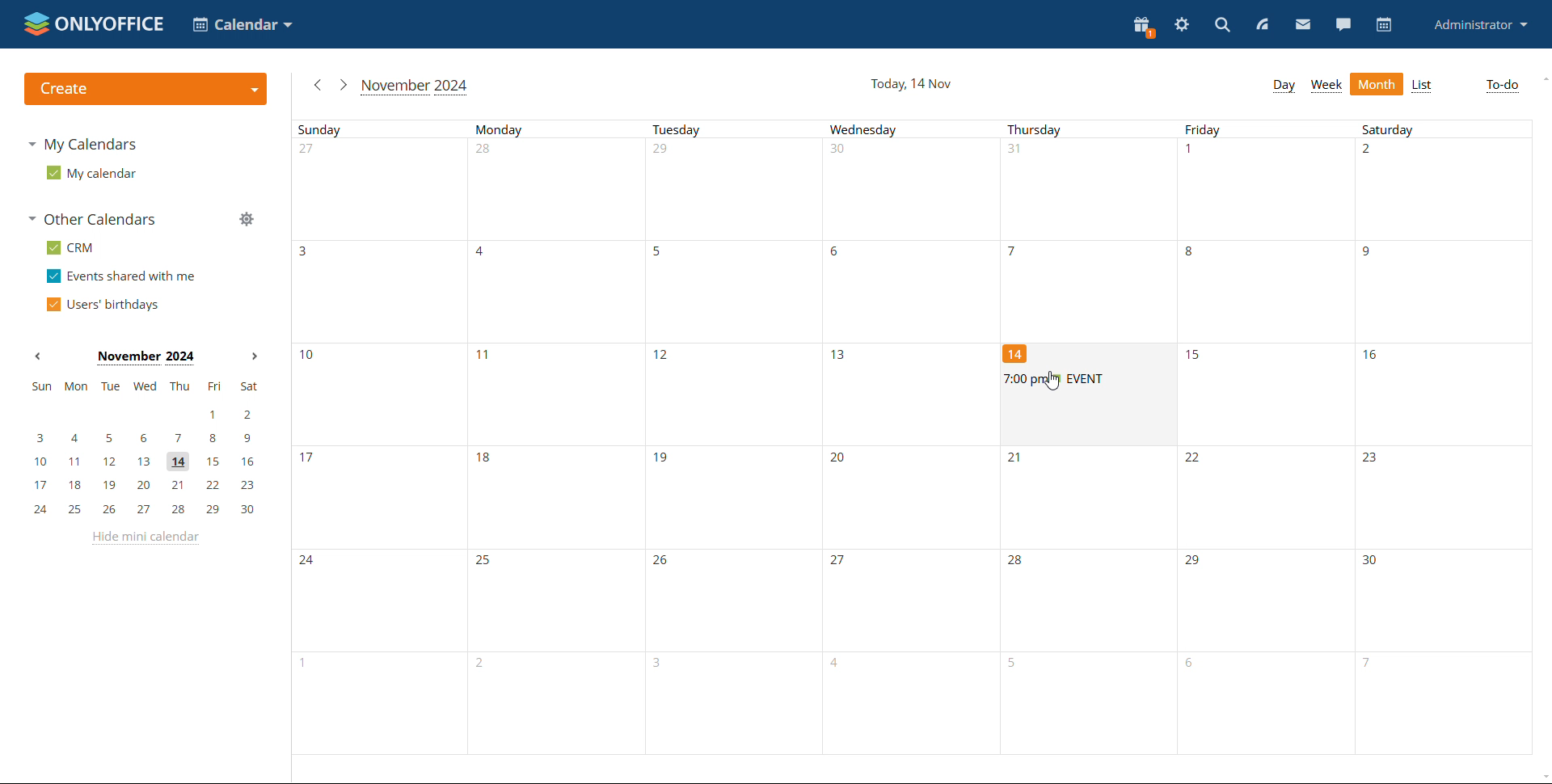 This screenshot has width=1552, height=784. Describe the element at coordinates (487, 358) in the screenshot. I see `number` at that location.